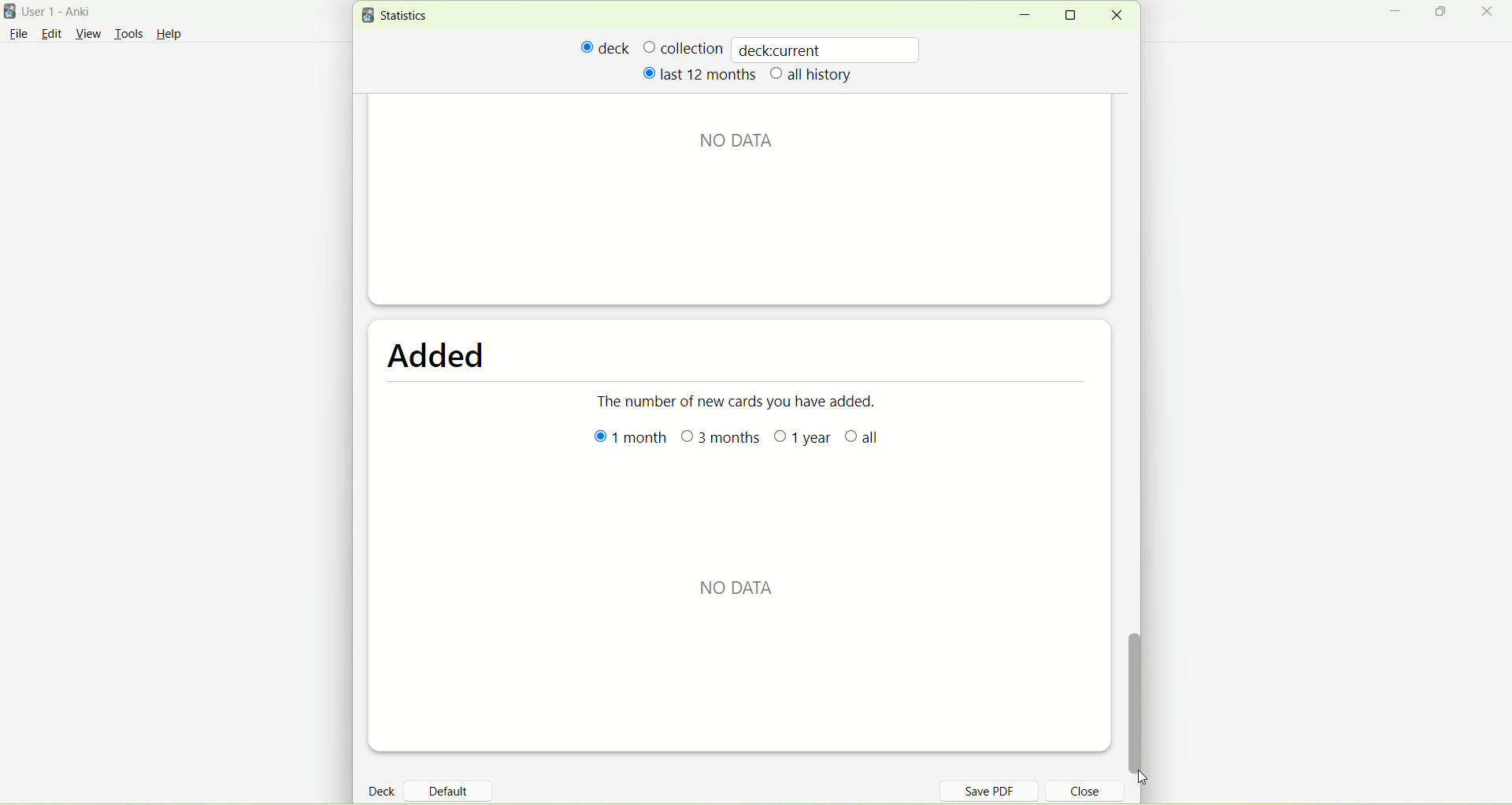  Describe the element at coordinates (801, 441) in the screenshot. I see `1 year` at that location.